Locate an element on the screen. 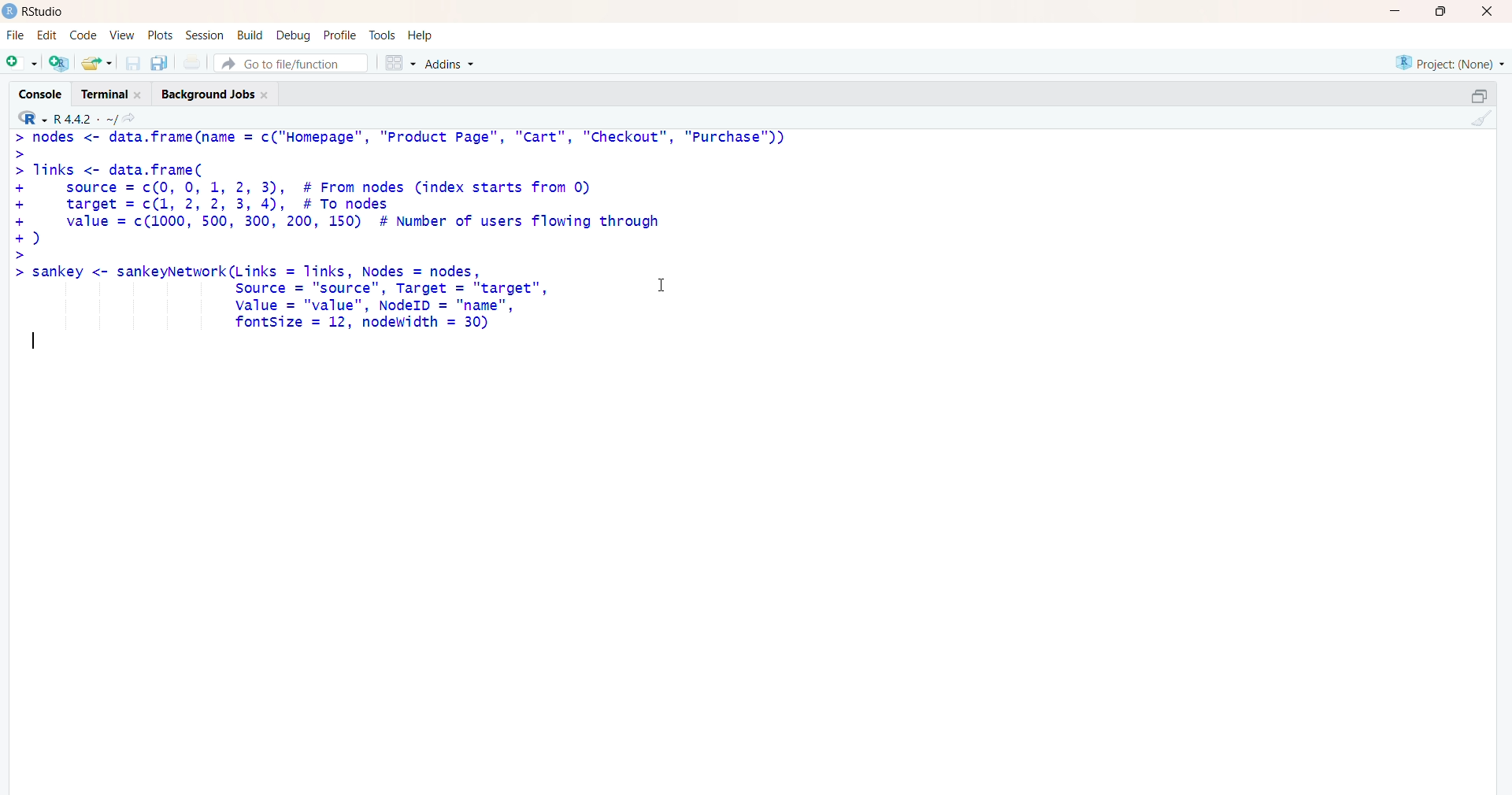 The width and height of the screenshot is (1512, 795). help is located at coordinates (429, 35).